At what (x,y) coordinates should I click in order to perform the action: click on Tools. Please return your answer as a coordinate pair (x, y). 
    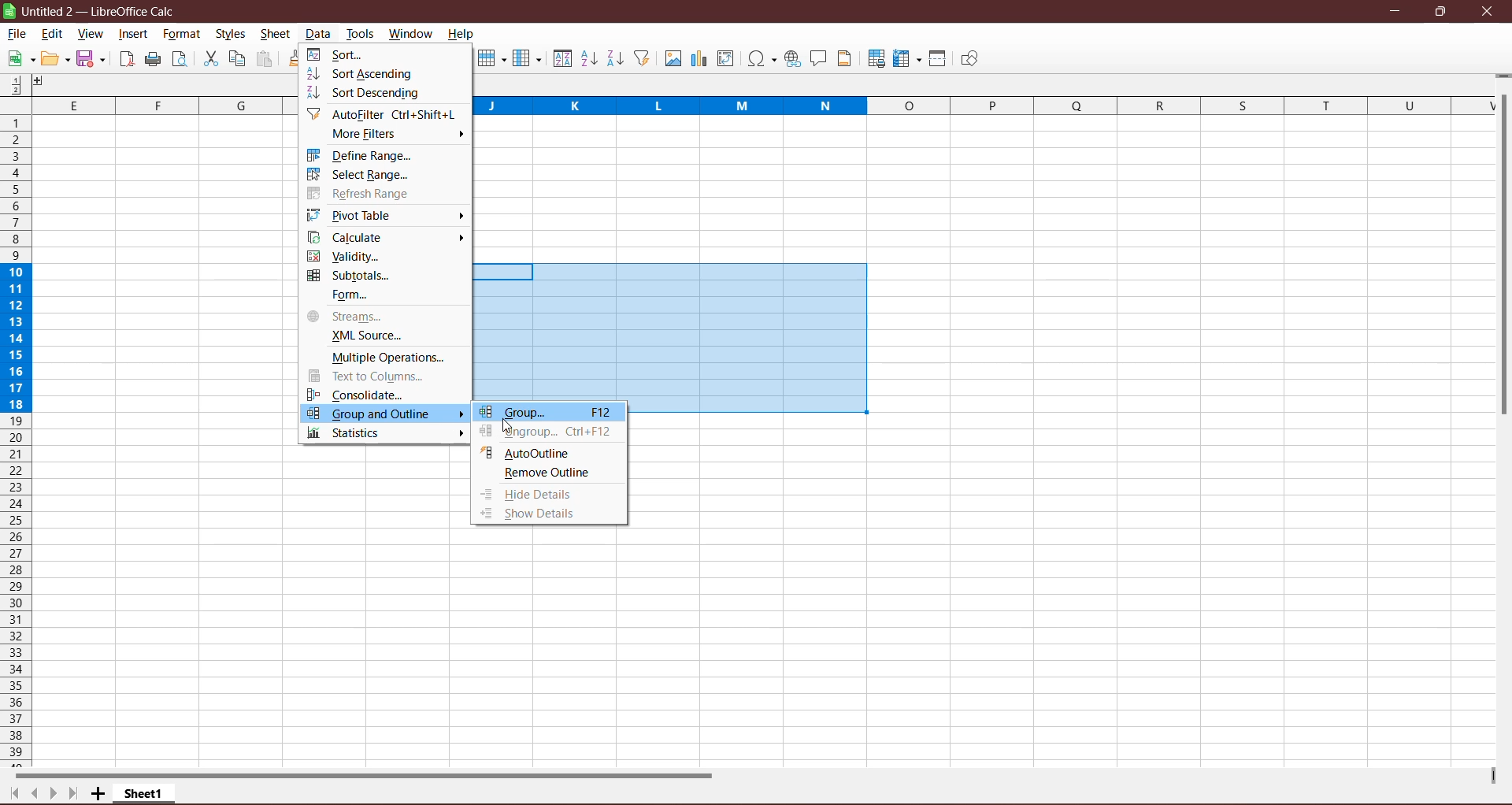
    Looking at the image, I should click on (361, 33).